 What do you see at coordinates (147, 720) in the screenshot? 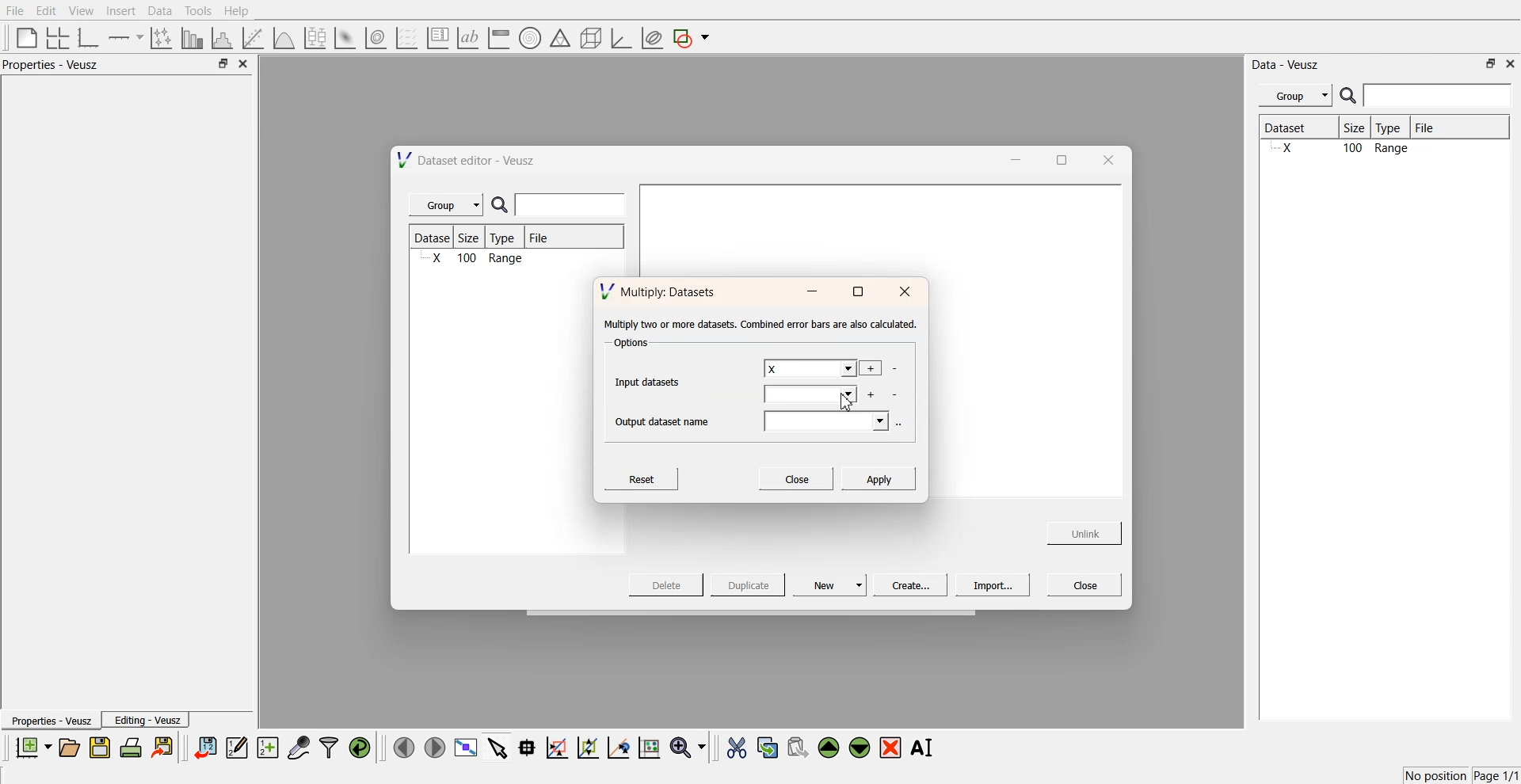
I see `Editing - Veusz` at bounding box center [147, 720].